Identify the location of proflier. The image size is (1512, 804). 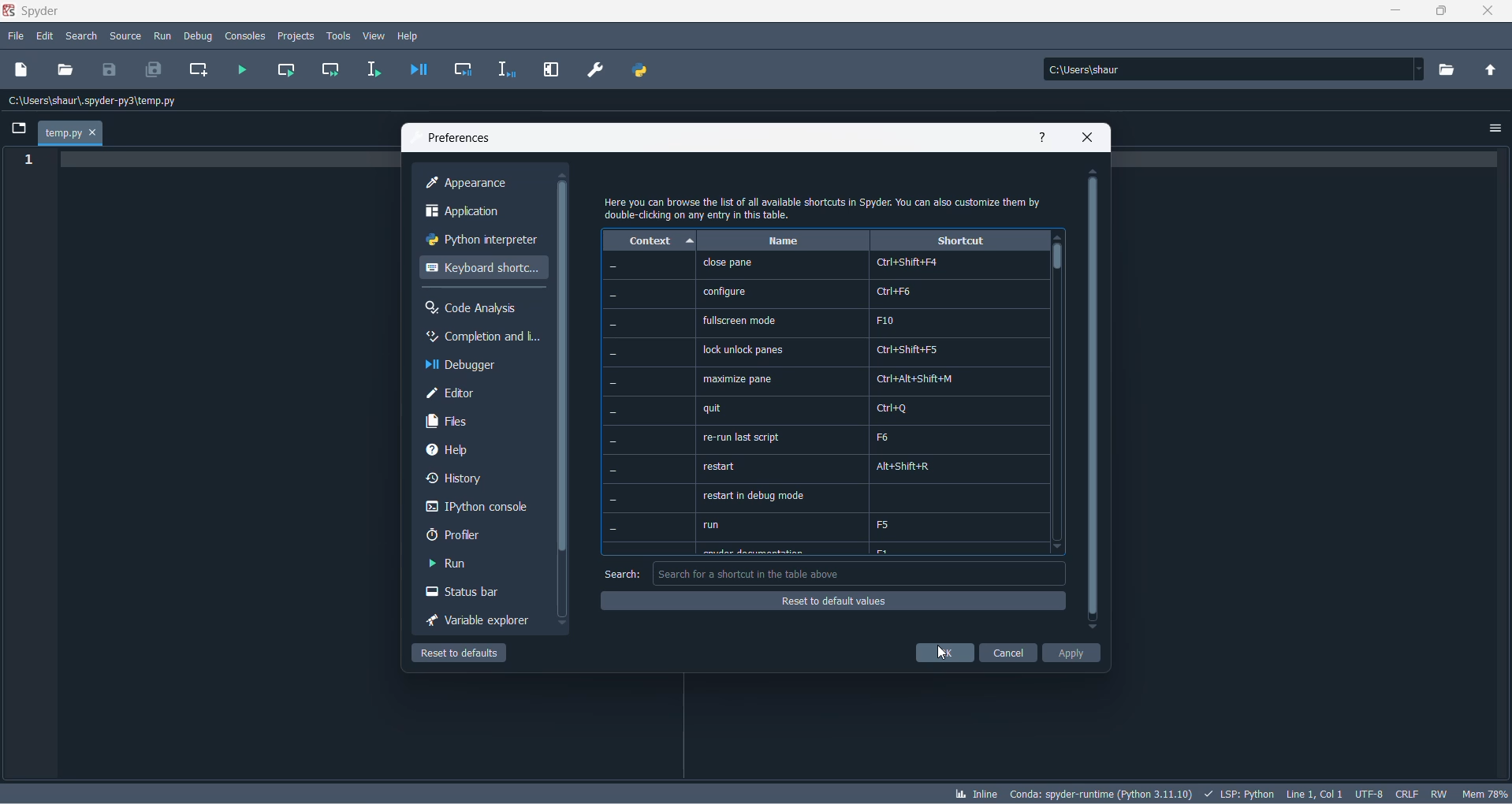
(472, 535).